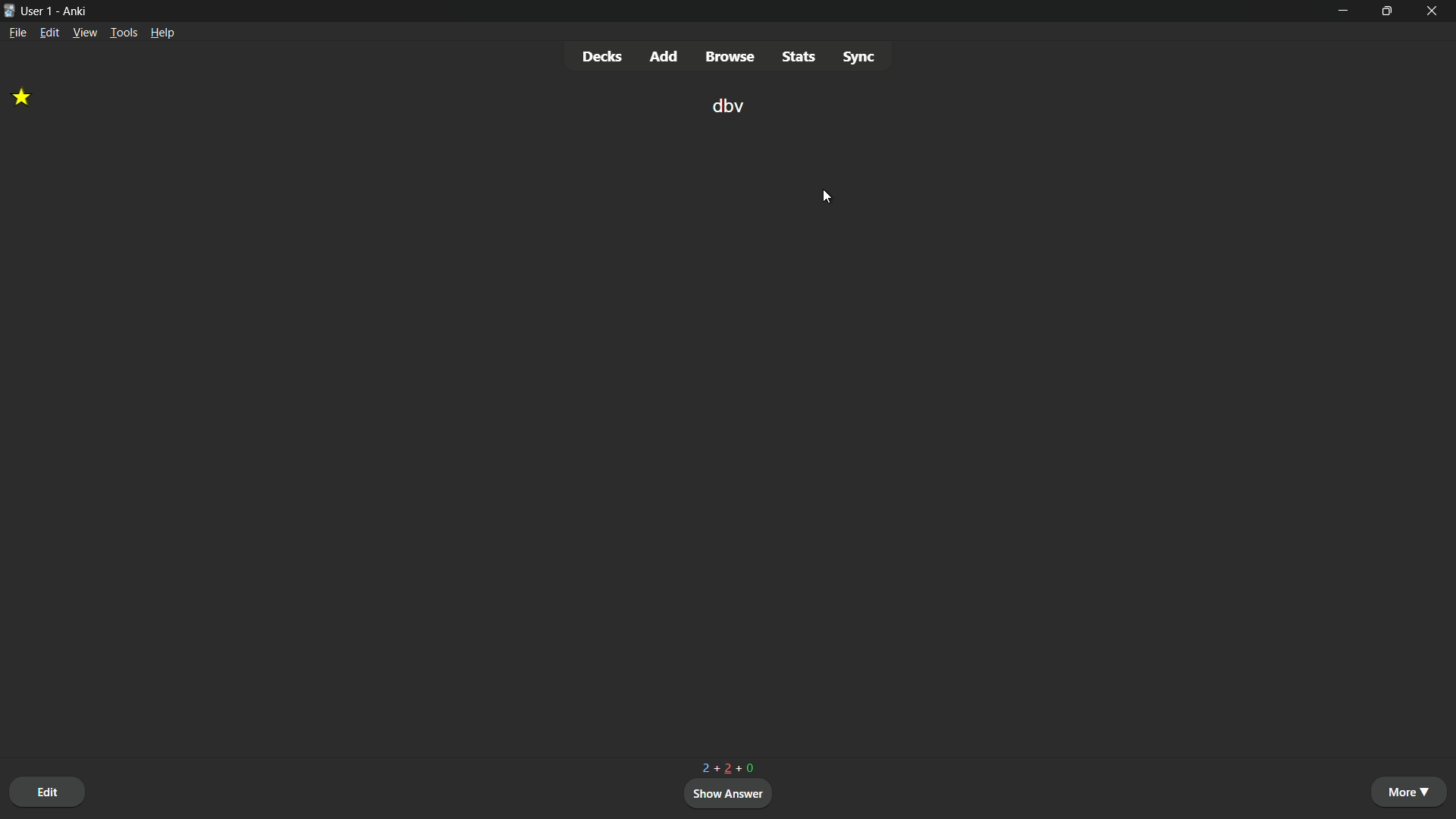  I want to click on sync, so click(859, 55).